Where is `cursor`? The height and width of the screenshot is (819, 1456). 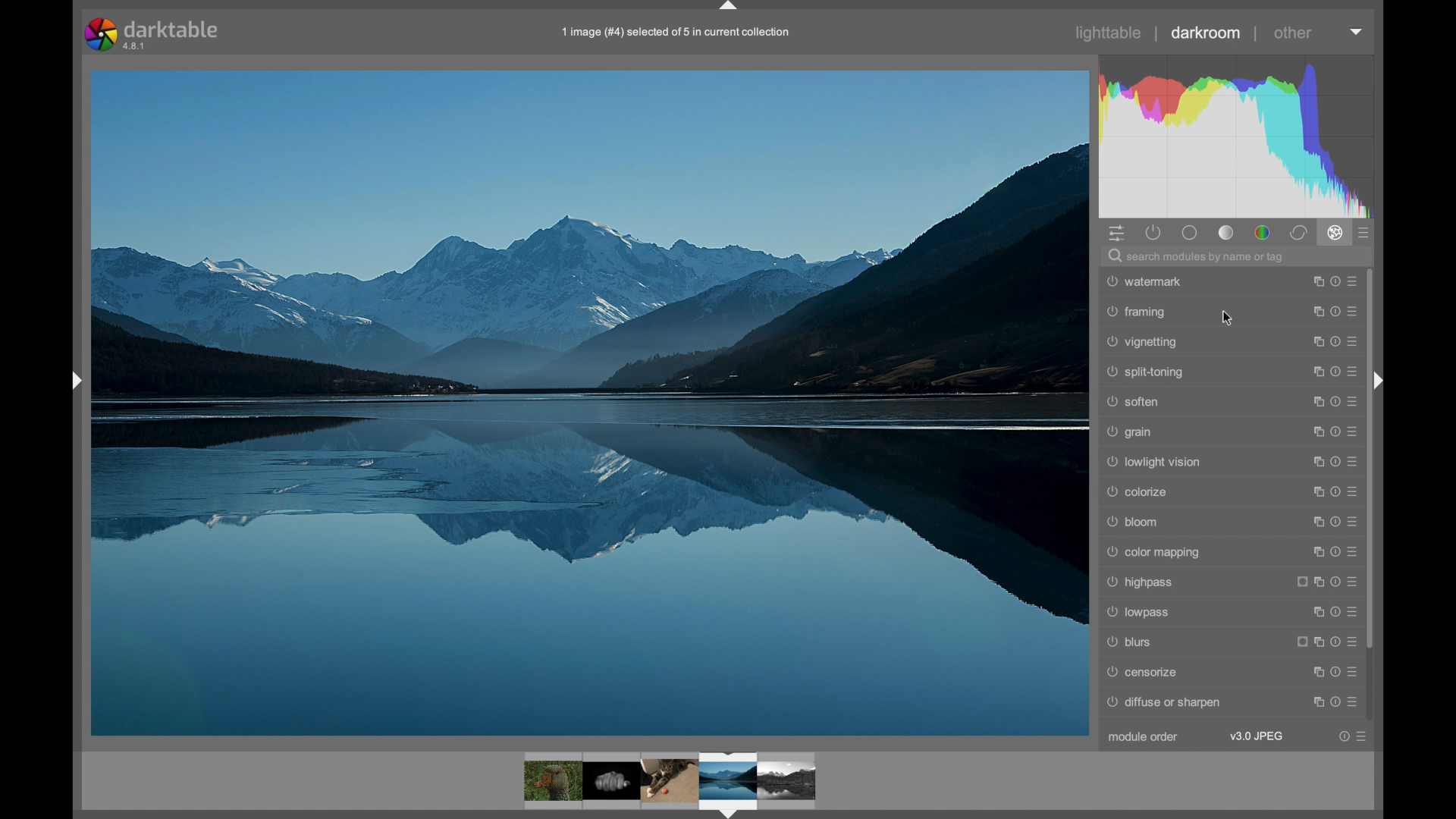 cursor is located at coordinates (1228, 320).